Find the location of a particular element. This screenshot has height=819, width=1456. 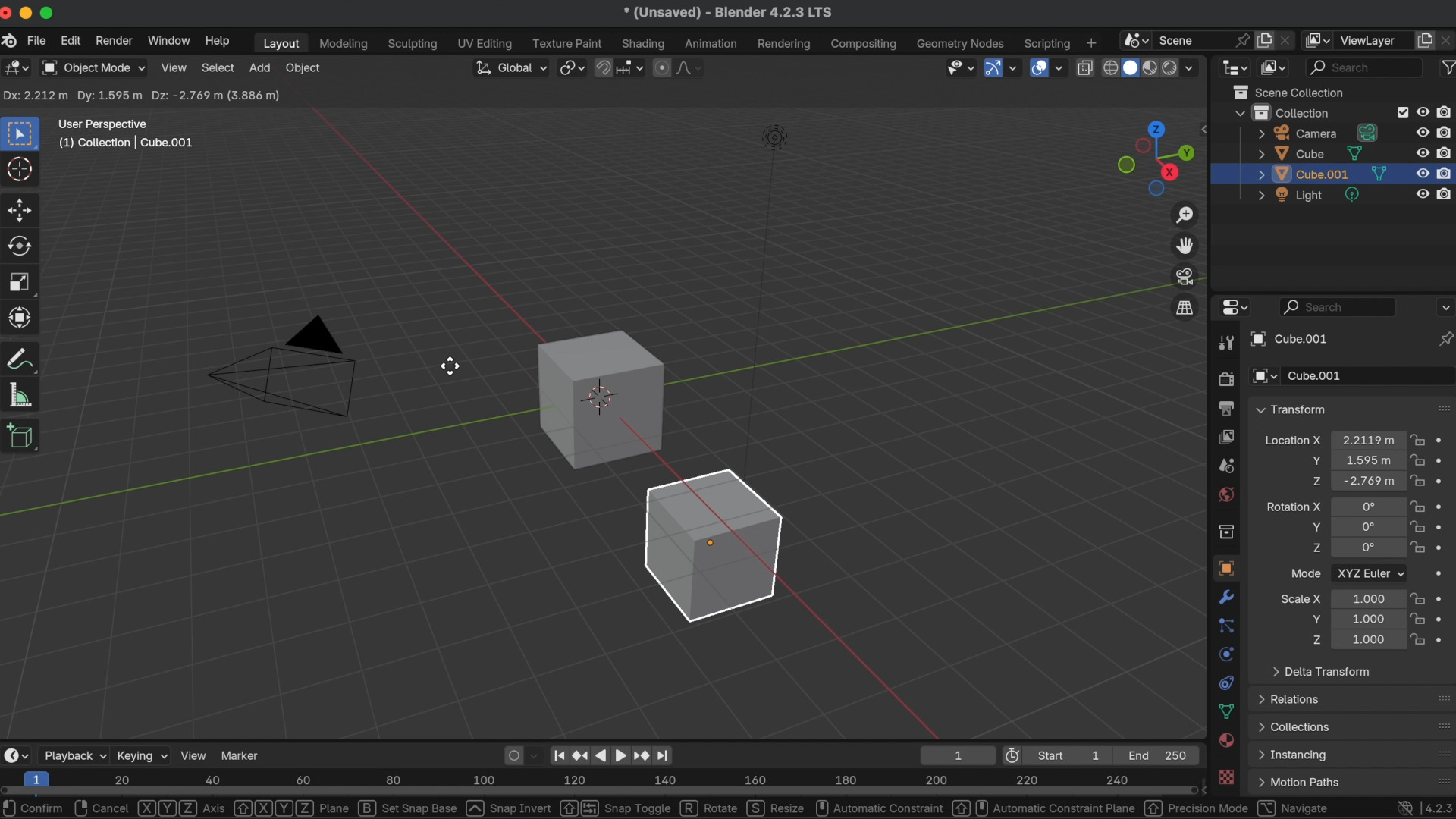

browse object to be linked is located at coordinates (1265, 377).